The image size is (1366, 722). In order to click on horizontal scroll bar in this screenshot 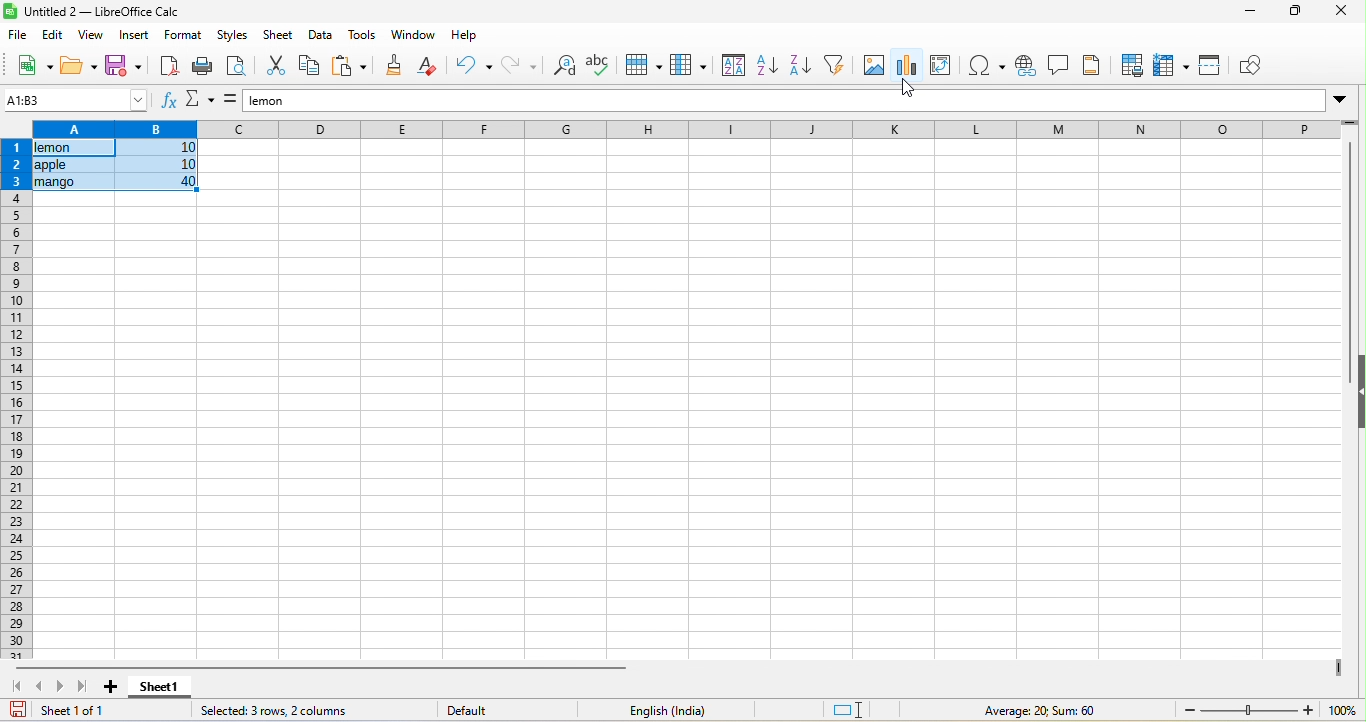, I will do `click(318, 668)`.